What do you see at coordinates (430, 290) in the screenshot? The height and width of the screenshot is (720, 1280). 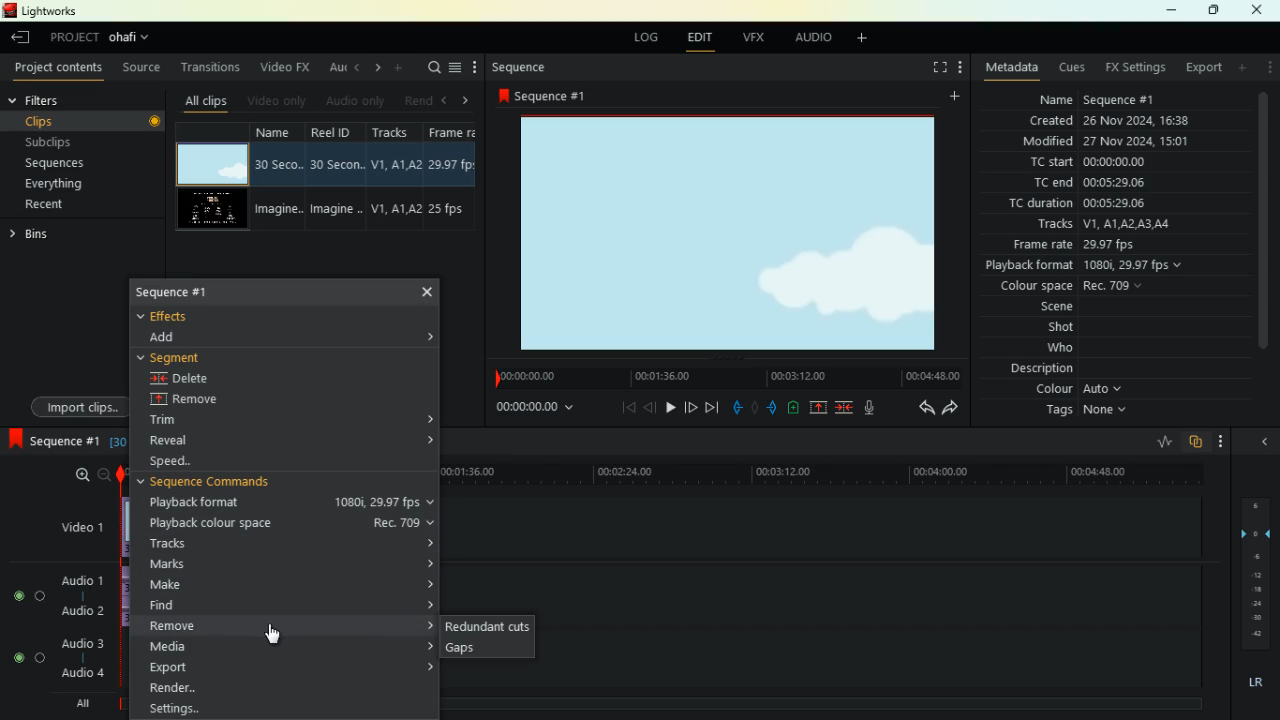 I see `Cross` at bounding box center [430, 290].